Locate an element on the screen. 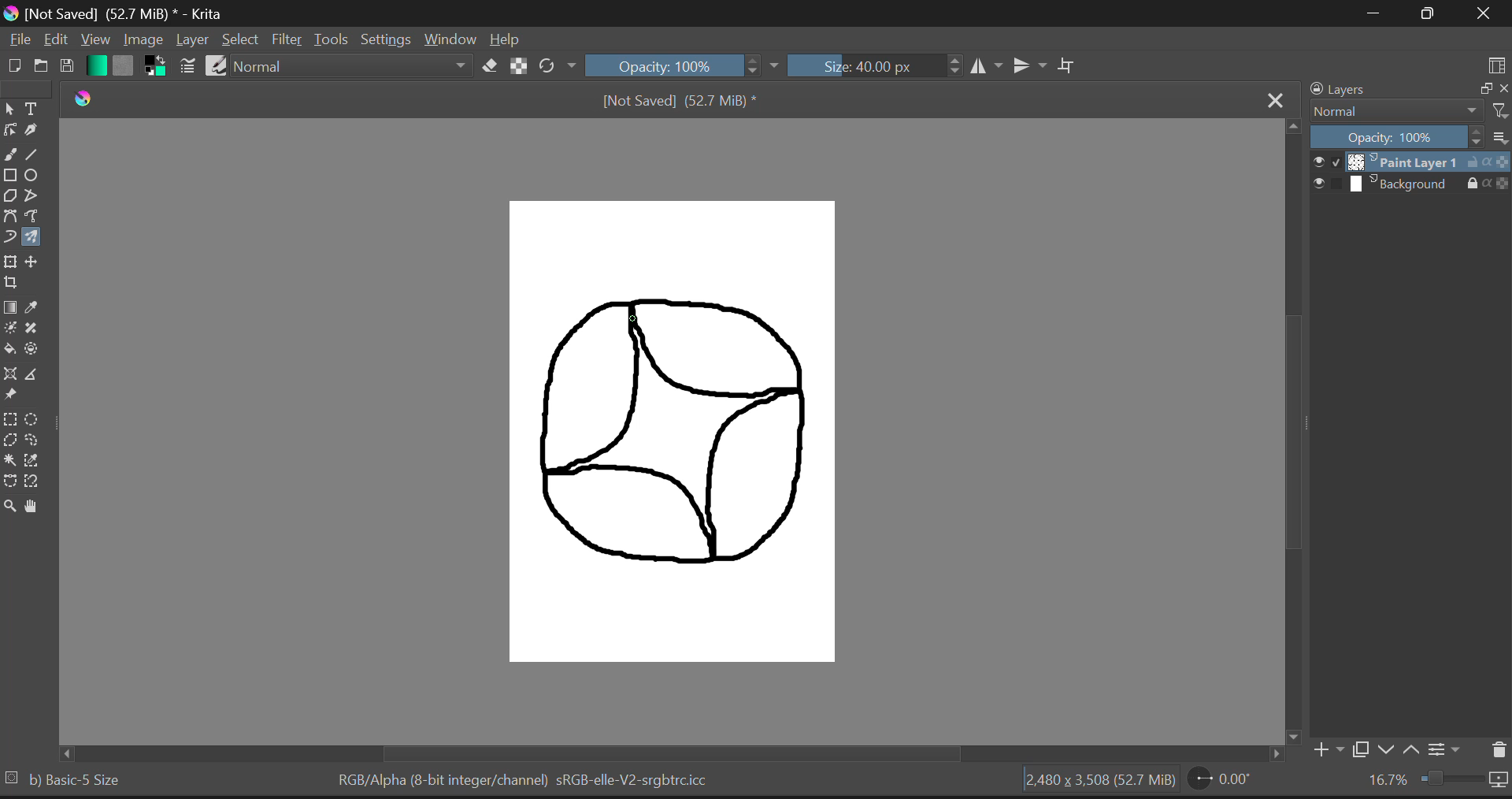 This screenshot has width=1512, height=799. Save is located at coordinates (66, 67).